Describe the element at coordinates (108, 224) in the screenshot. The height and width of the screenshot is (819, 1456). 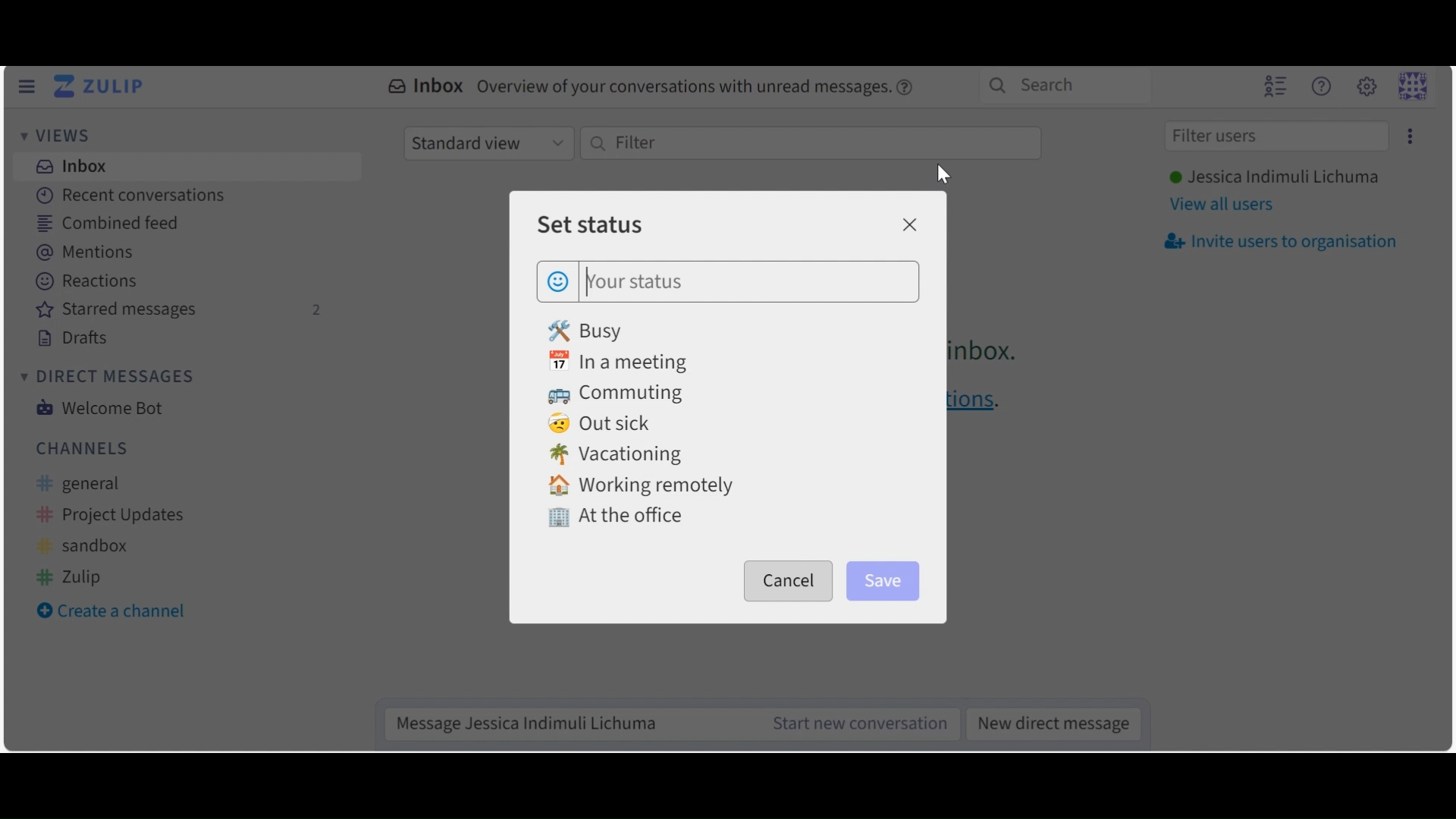
I see `Combined Feed` at that location.